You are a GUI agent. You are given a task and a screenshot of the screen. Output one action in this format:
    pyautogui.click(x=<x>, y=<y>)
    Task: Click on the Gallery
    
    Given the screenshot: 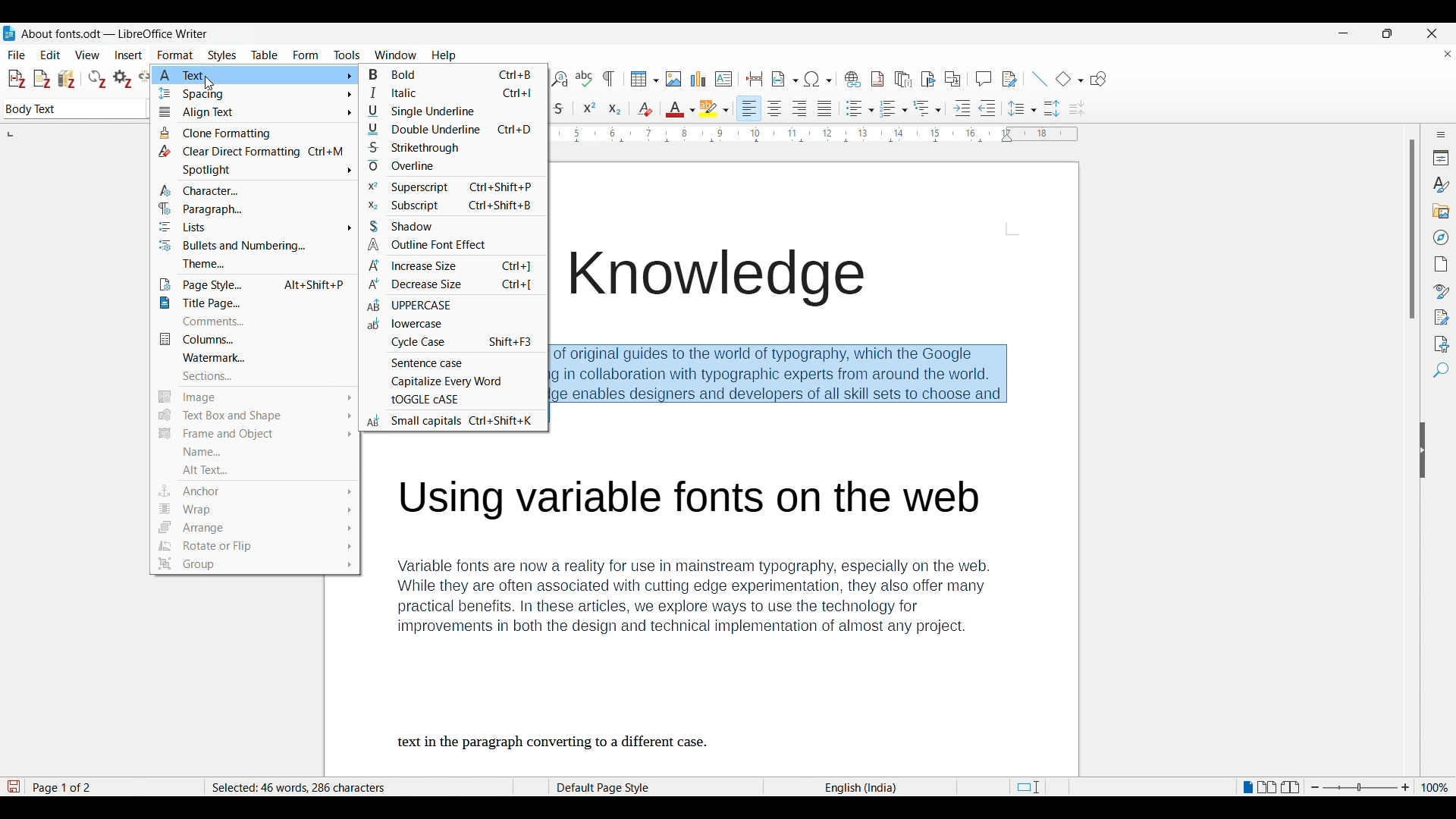 What is the action you would take?
    pyautogui.click(x=1442, y=212)
    